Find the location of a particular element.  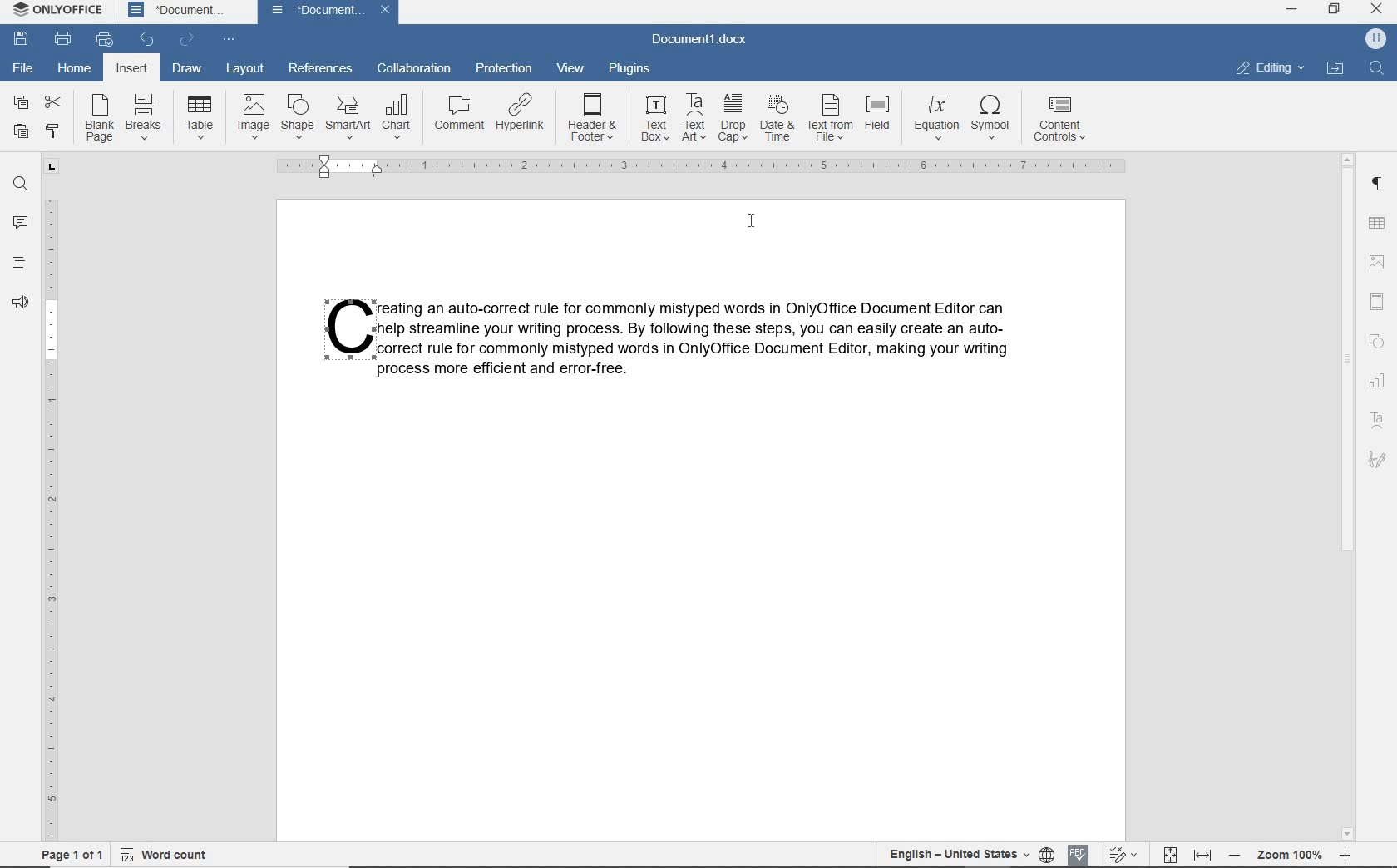

symbol is located at coordinates (995, 121).